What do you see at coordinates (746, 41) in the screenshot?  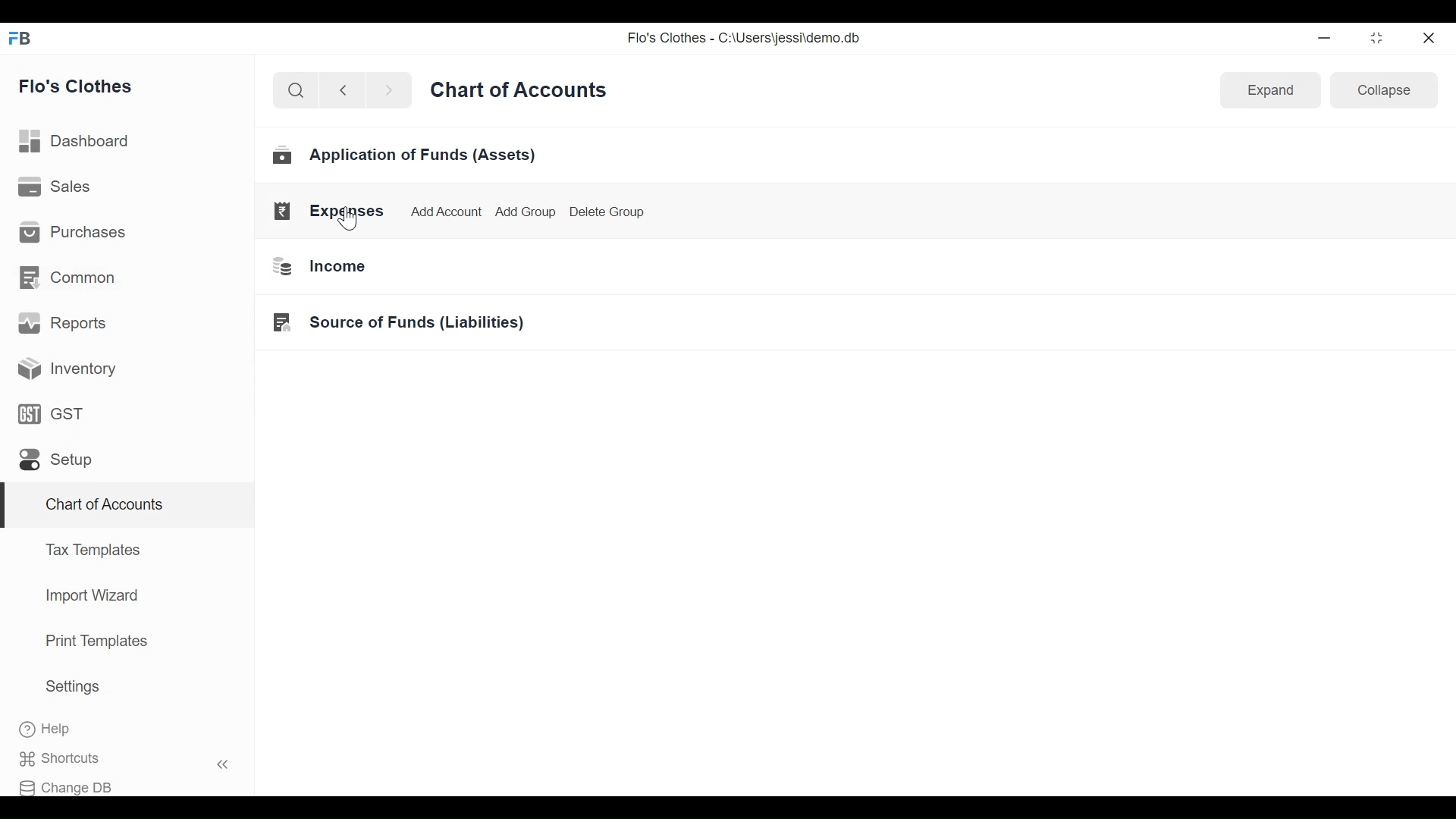 I see `Flo's Clothes - C:\Users\jessi\demo.db` at bounding box center [746, 41].